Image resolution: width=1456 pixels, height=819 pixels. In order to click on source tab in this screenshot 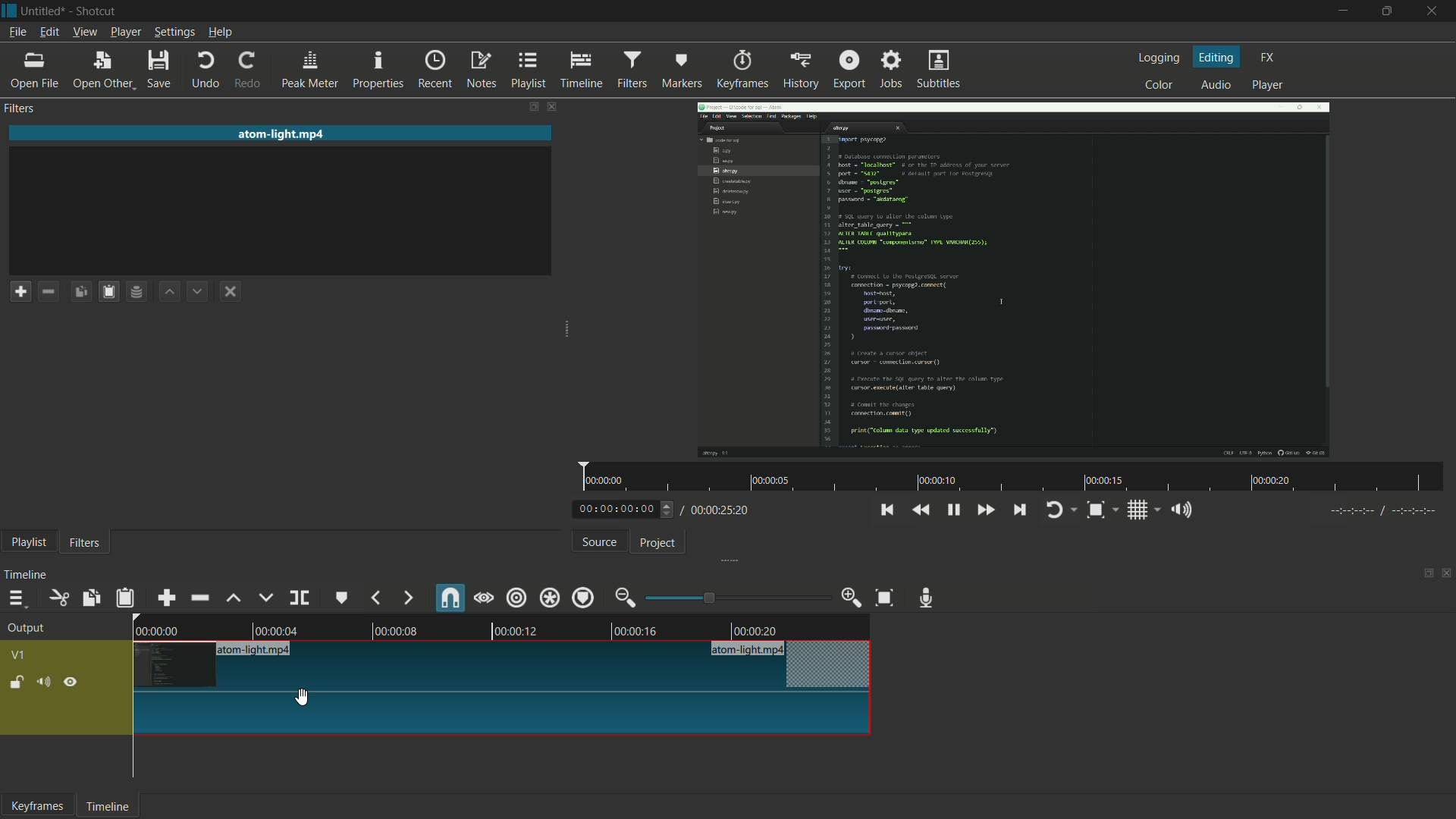, I will do `click(600, 542)`.